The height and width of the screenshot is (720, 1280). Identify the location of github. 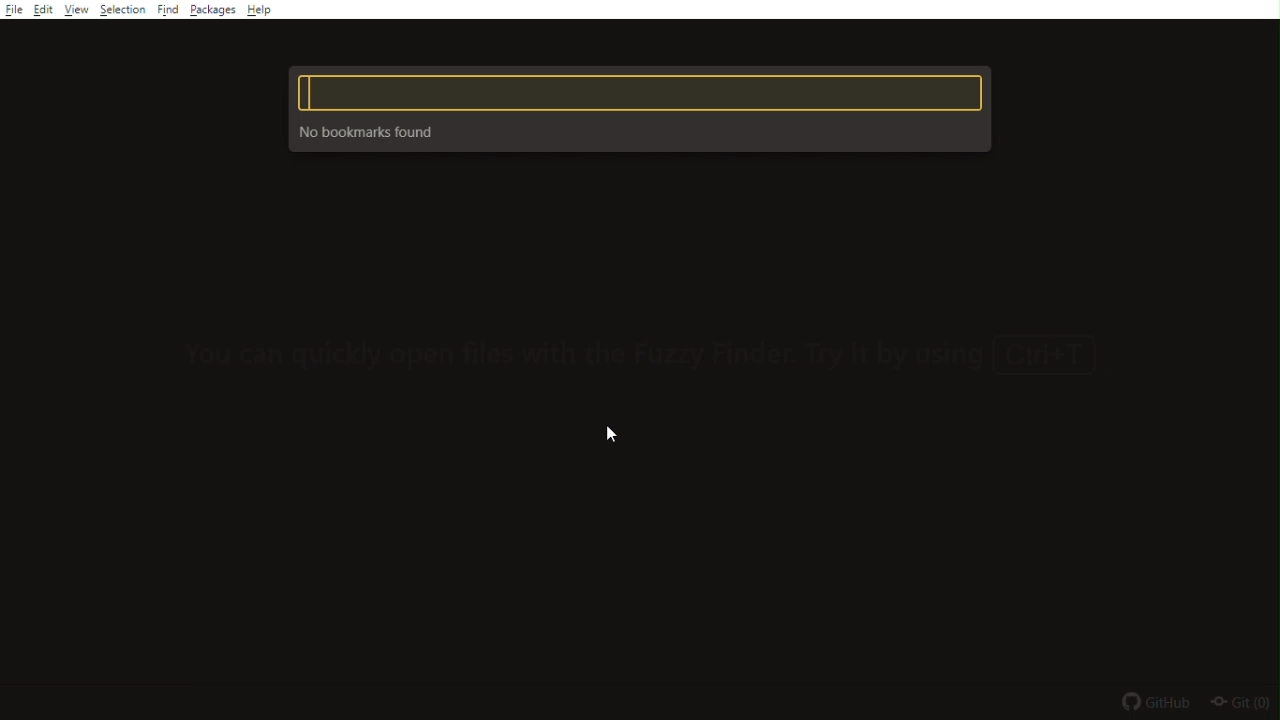
(1154, 706).